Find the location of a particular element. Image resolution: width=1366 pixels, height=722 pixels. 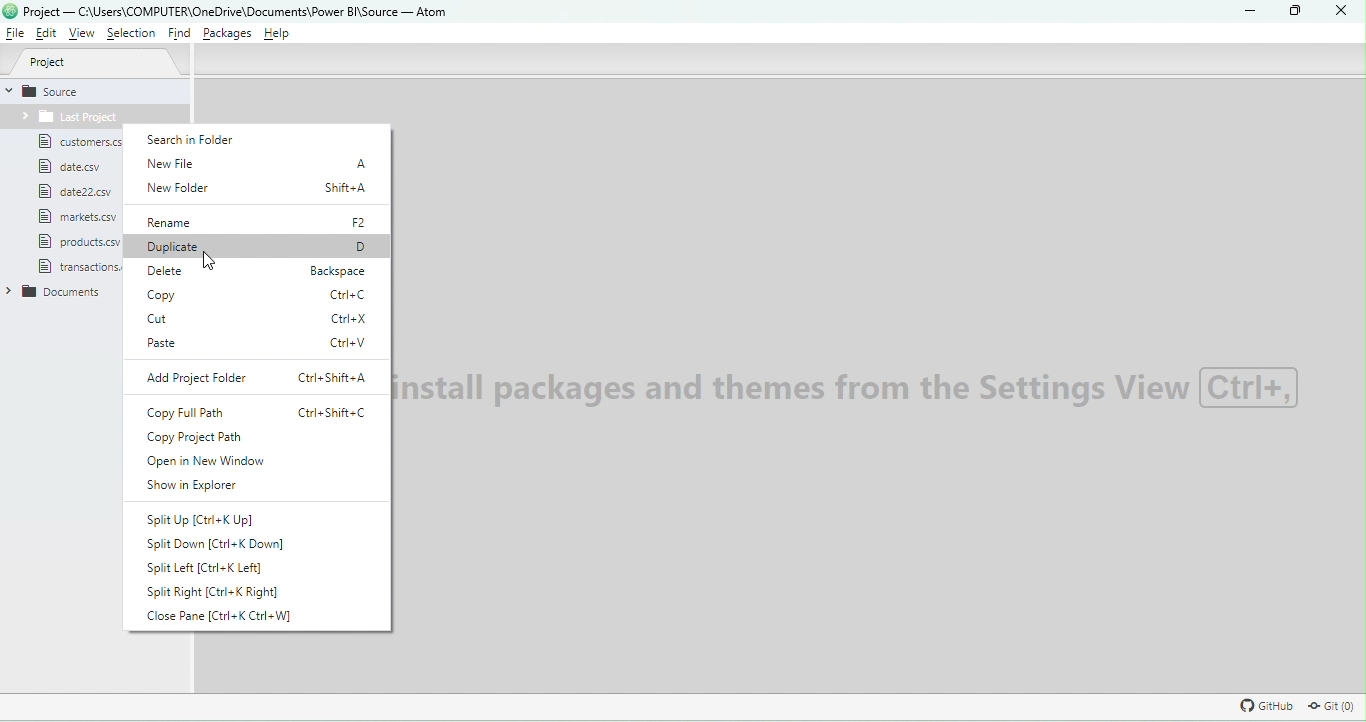

View is located at coordinates (83, 34).